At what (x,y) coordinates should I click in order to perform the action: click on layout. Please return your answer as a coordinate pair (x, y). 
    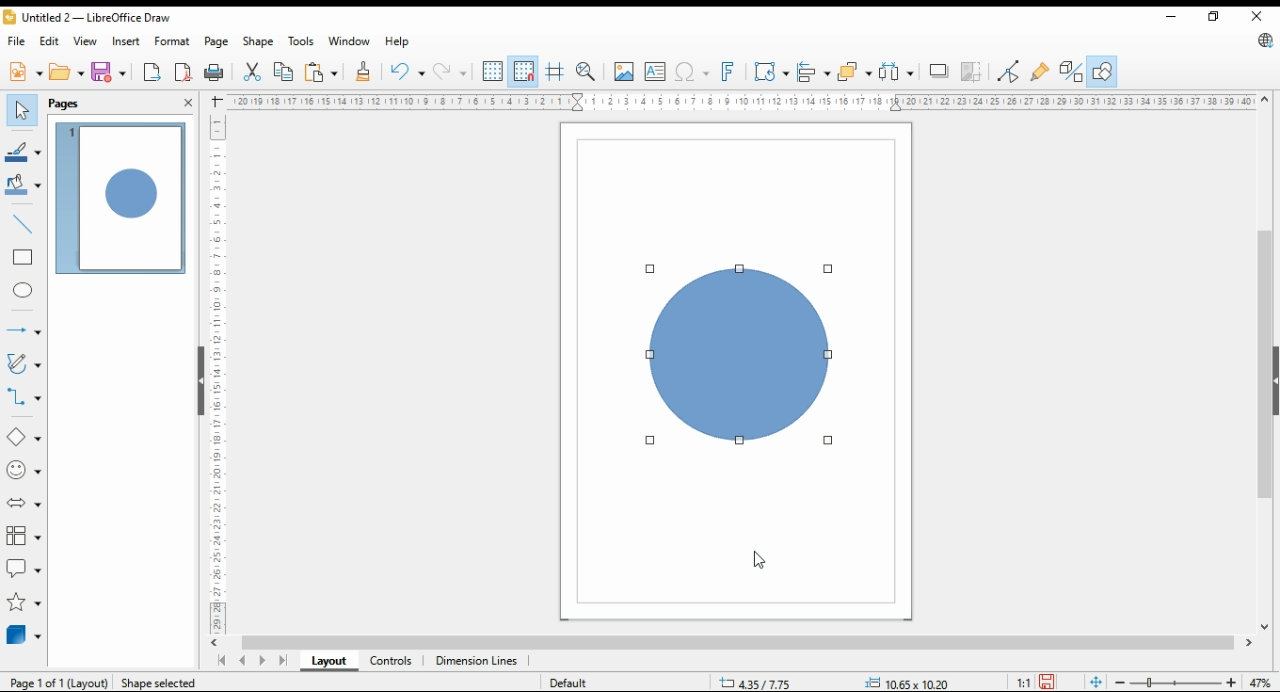
    Looking at the image, I should click on (328, 661).